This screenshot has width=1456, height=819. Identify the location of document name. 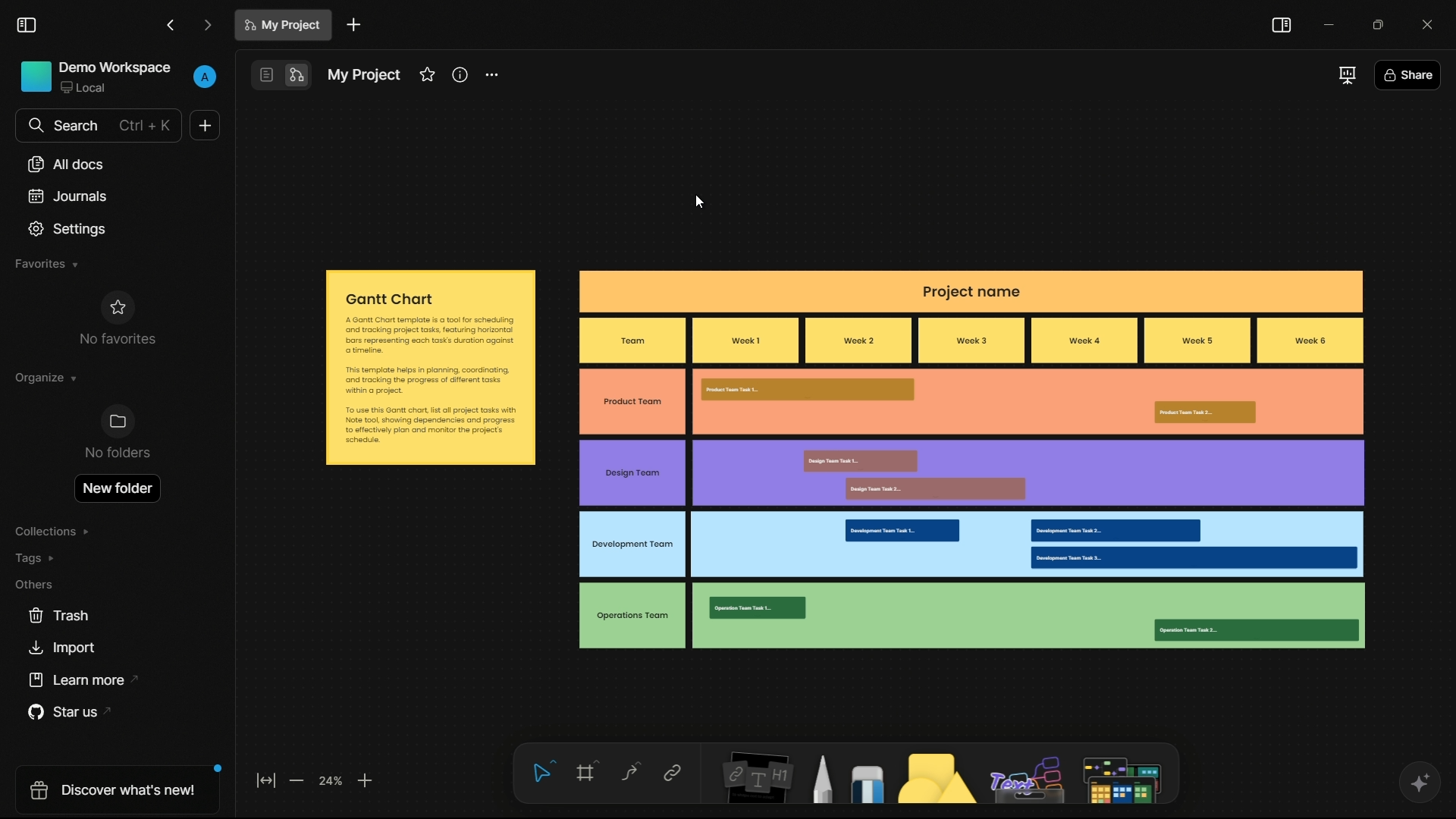
(364, 77).